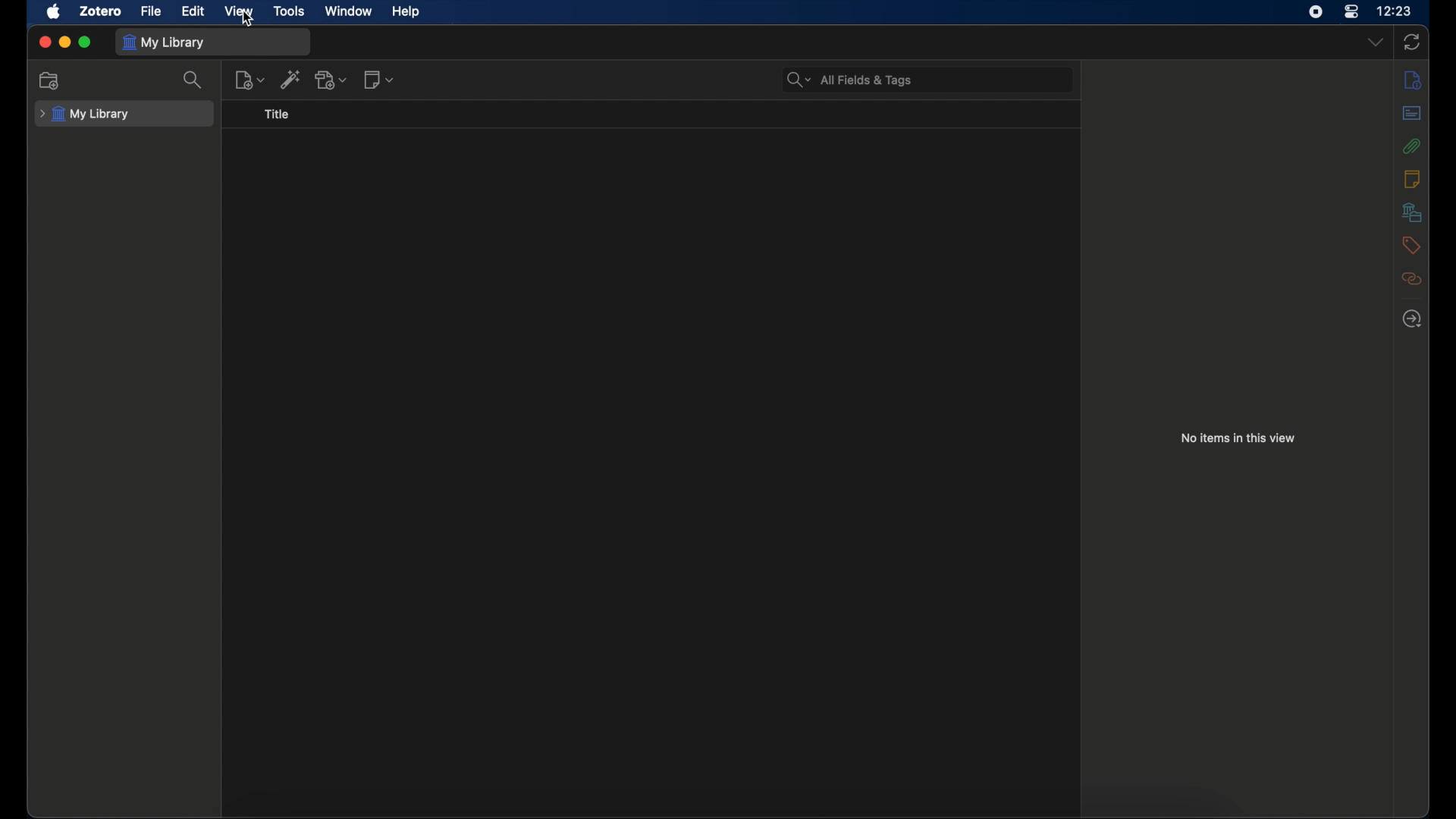  I want to click on my library, so click(165, 42).